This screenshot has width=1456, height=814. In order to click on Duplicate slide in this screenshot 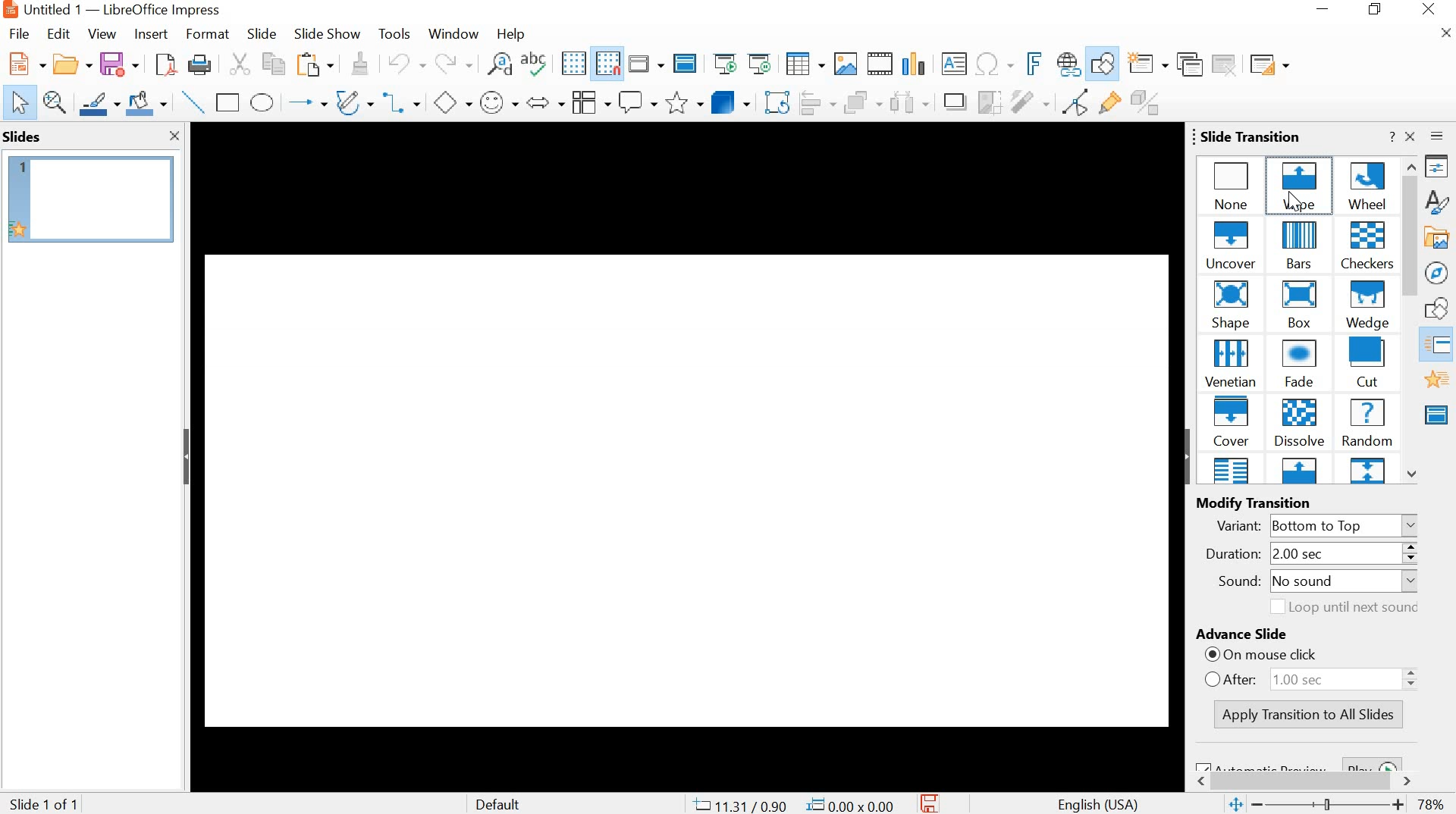, I will do `click(1191, 64)`.